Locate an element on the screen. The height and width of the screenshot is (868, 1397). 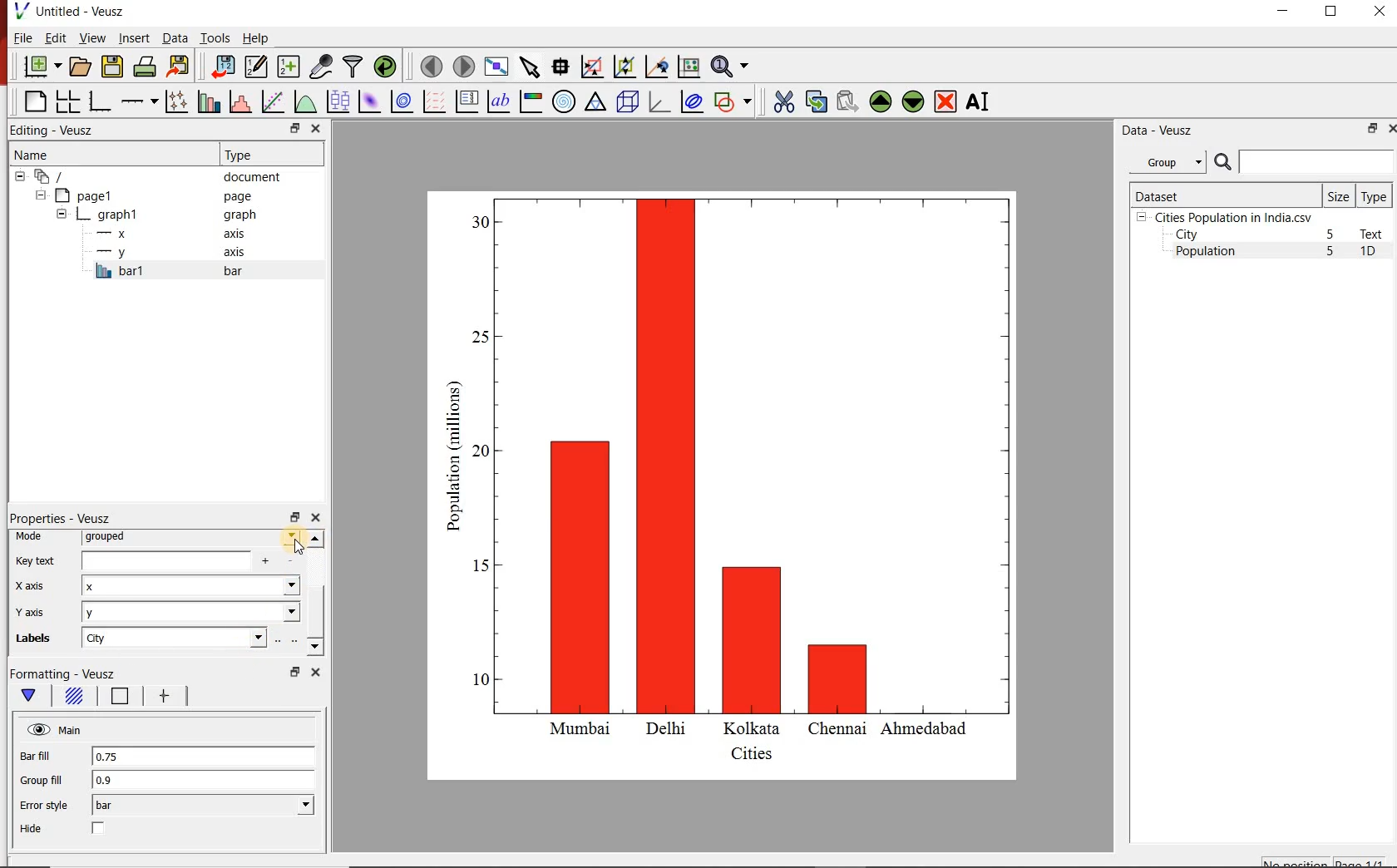
5 is located at coordinates (1331, 252).